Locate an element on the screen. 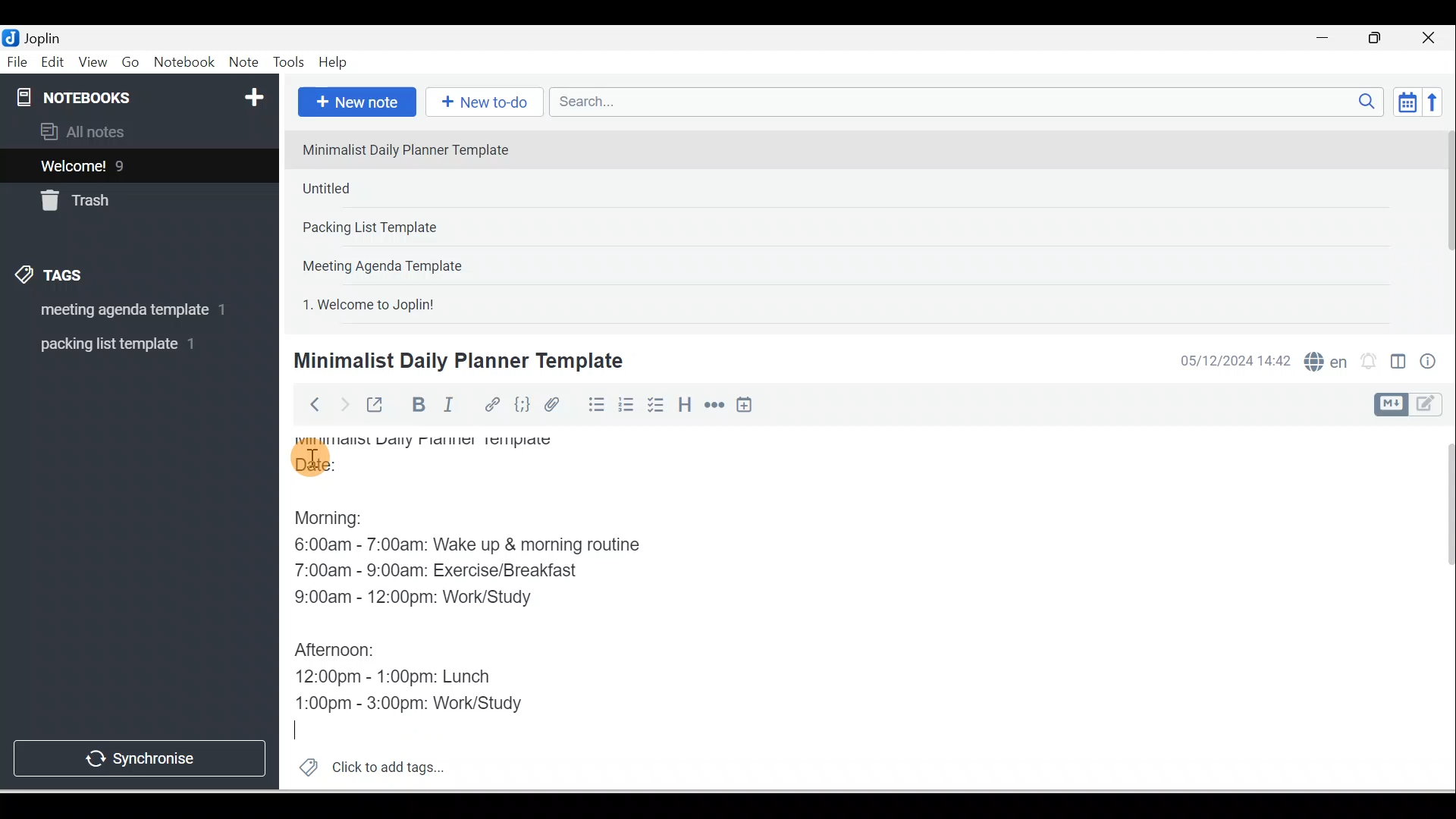 The height and width of the screenshot is (819, 1456). Edit is located at coordinates (54, 63).